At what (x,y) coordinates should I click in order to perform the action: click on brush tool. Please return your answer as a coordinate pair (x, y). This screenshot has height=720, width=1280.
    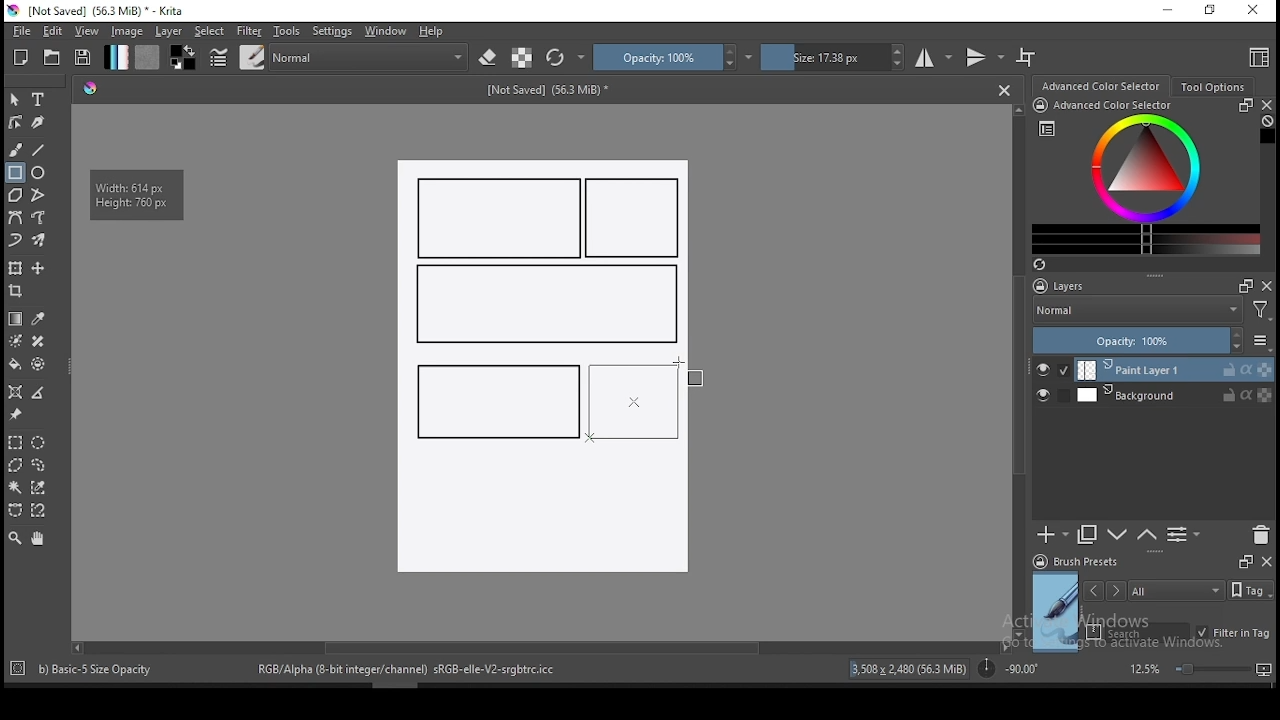
    Looking at the image, I should click on (17, 149).